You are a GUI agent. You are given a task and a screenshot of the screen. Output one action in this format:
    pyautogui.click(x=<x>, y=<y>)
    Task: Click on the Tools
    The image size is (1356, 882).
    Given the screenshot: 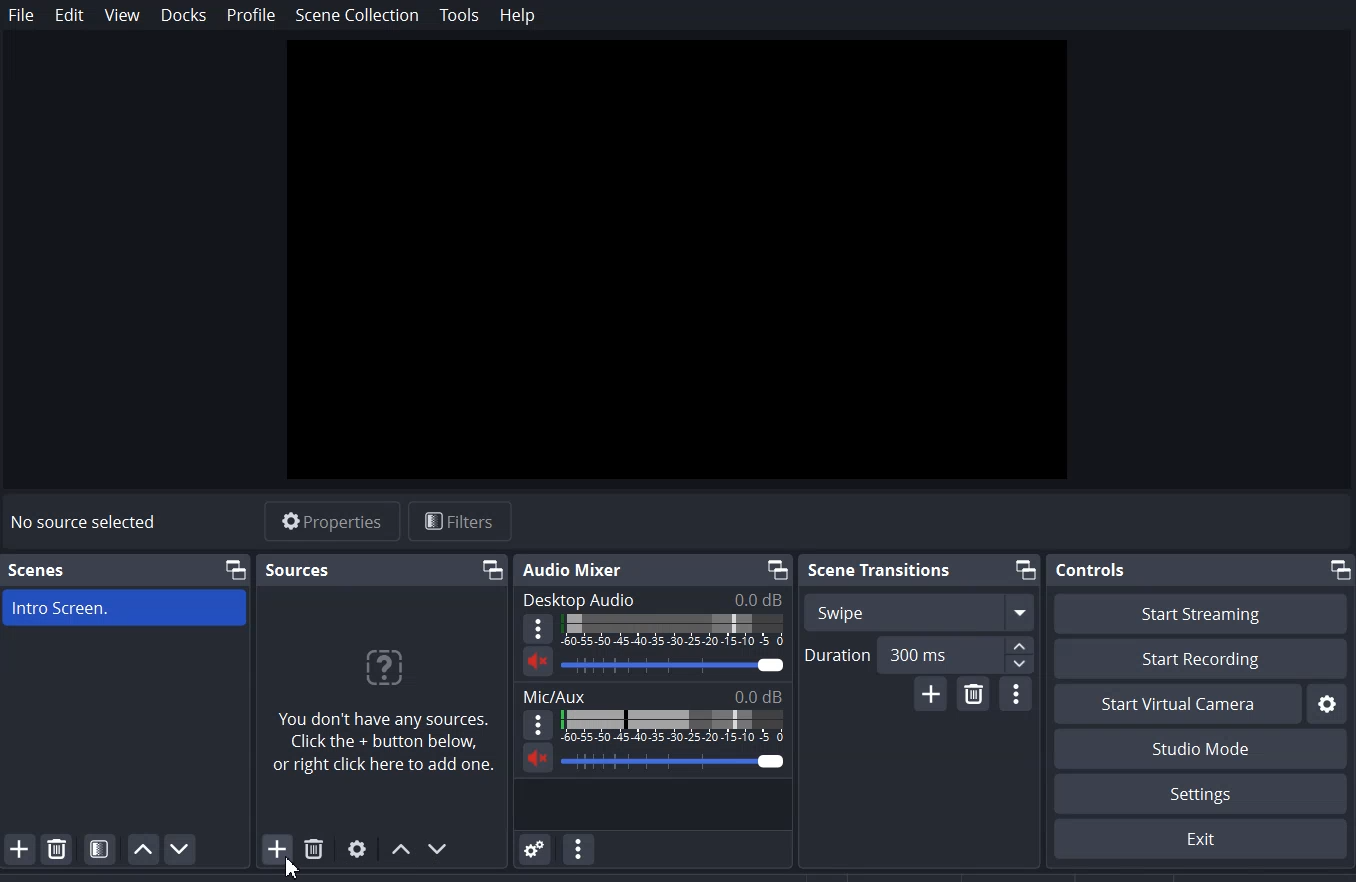 What is the action you would take?
    pyautogui.click(x=459, y=16)
    